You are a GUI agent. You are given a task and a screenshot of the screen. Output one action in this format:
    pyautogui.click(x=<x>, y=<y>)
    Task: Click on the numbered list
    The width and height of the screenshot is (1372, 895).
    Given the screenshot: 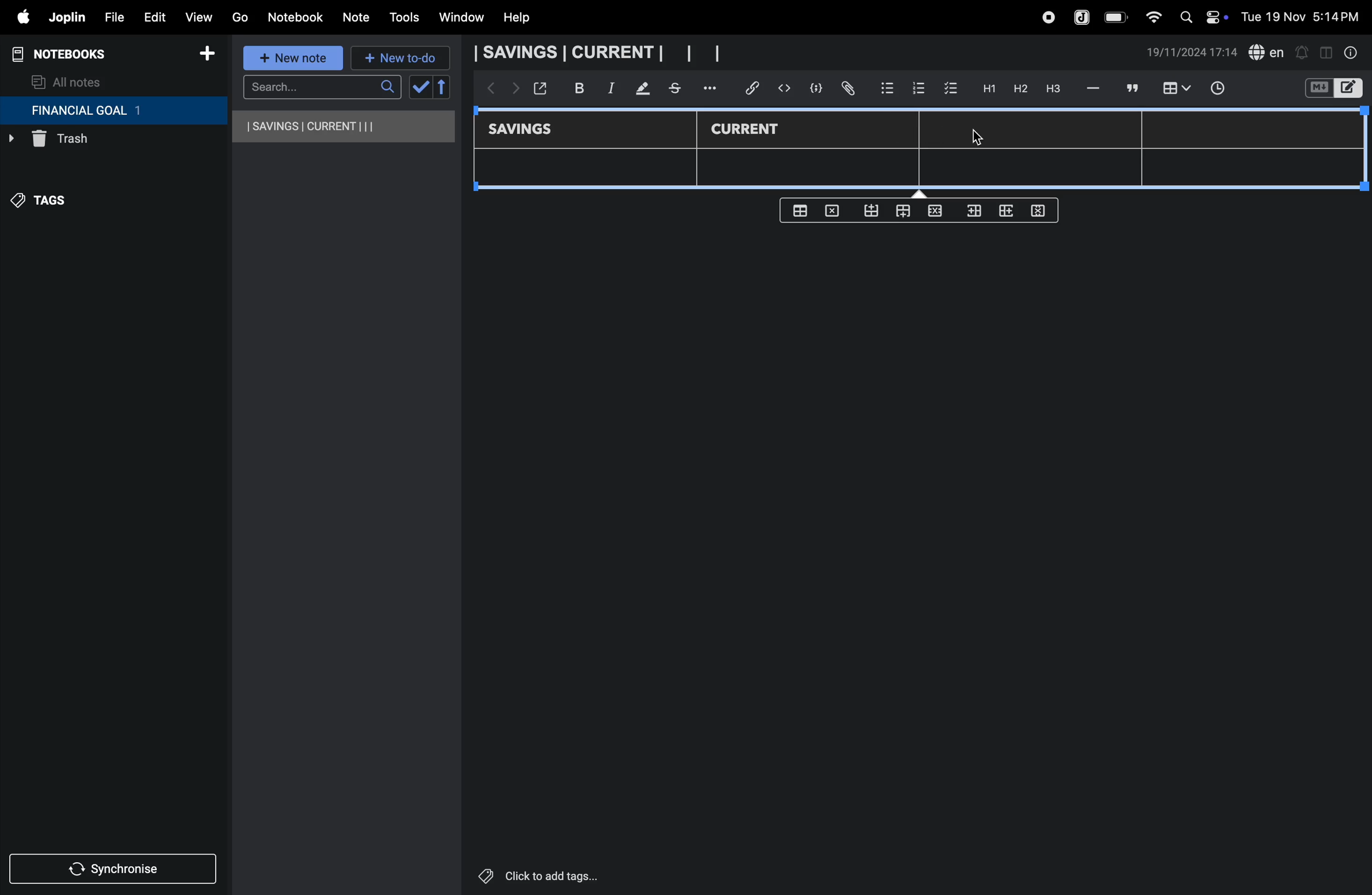 What is the action you would take?
    pyautogui.click(x=918, y=88)
    